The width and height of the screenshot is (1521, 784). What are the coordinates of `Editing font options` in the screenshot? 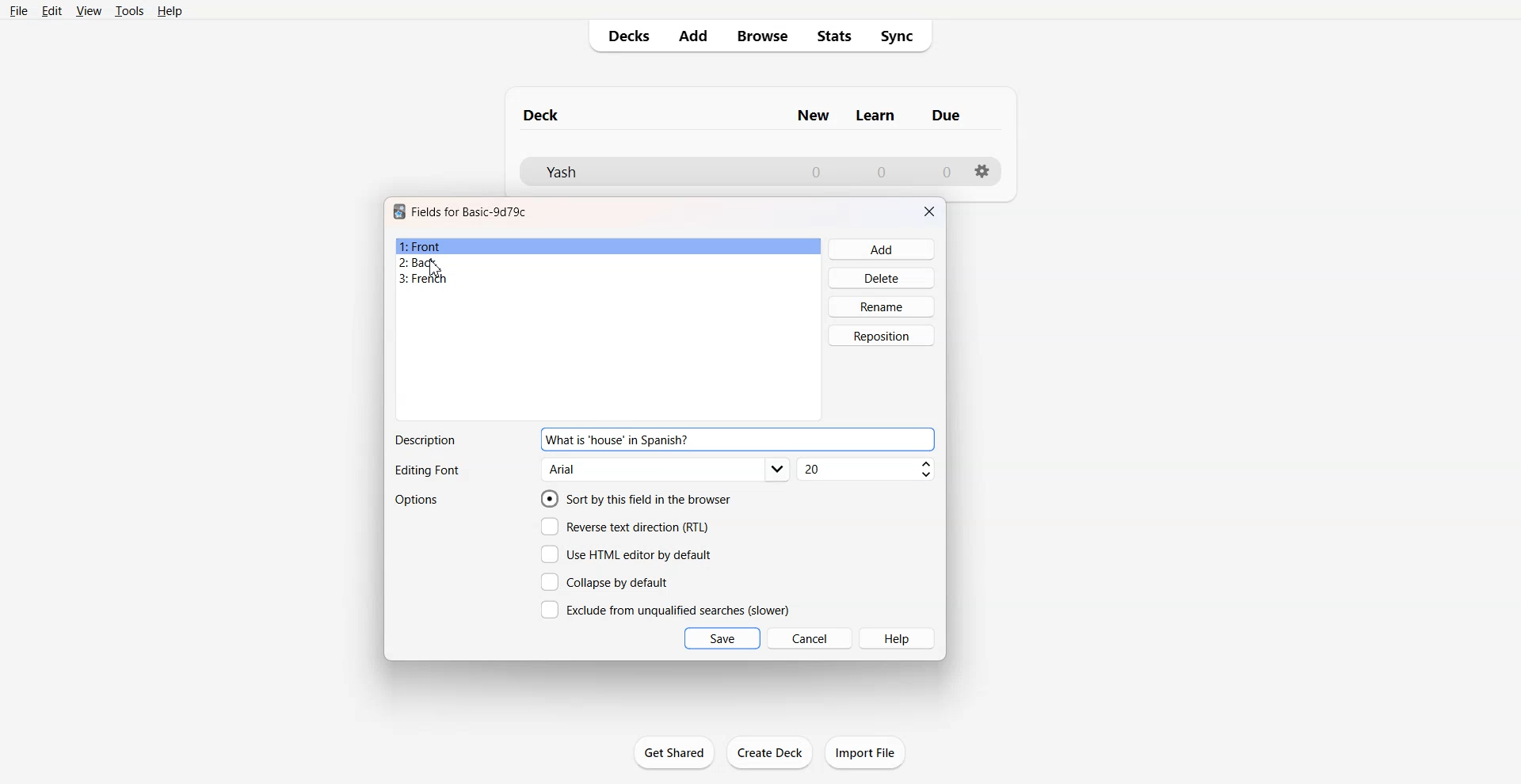 It's located at (666, 470).